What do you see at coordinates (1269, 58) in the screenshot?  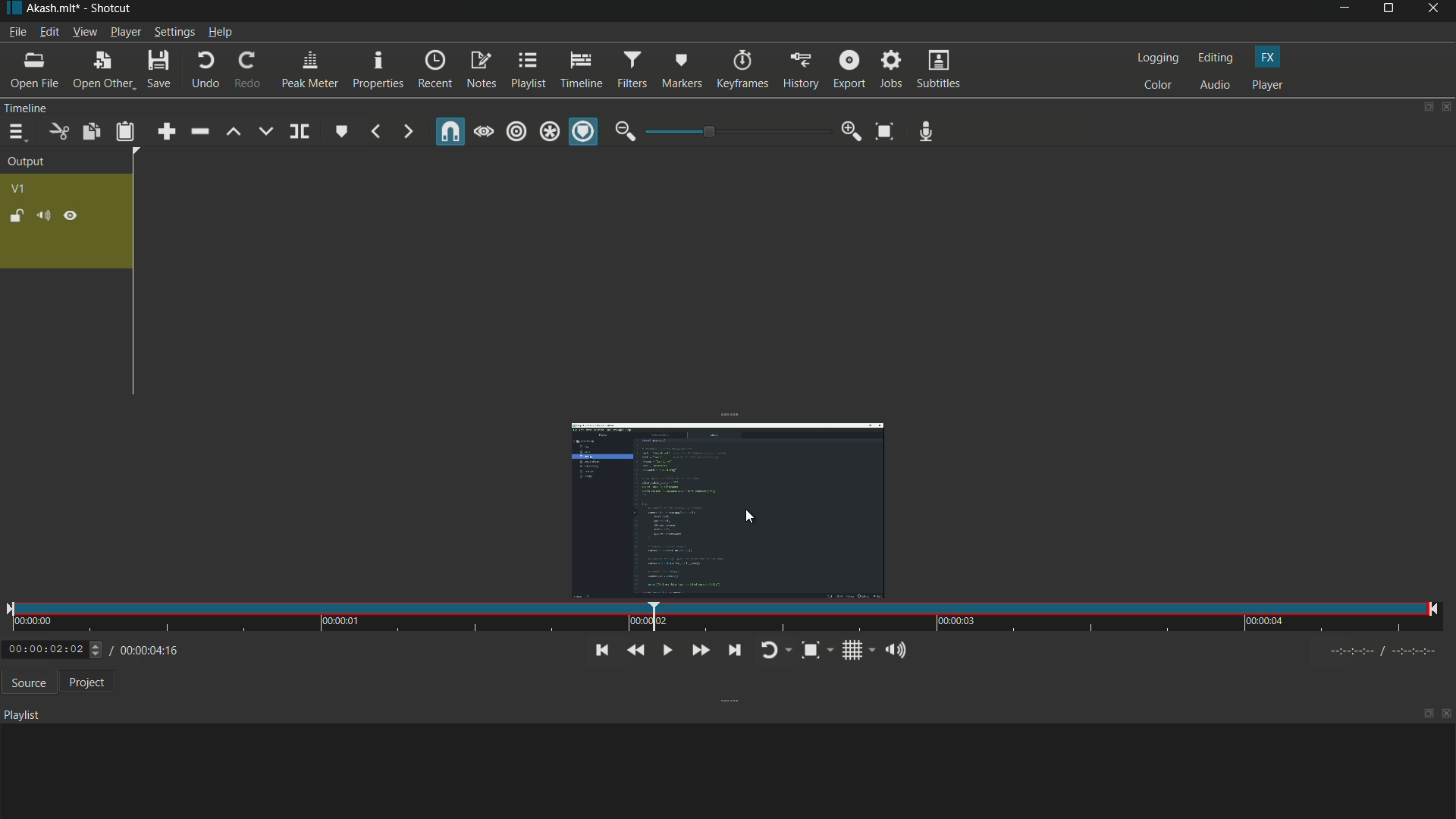 I see `fx` at bounding box center [1269, 58].